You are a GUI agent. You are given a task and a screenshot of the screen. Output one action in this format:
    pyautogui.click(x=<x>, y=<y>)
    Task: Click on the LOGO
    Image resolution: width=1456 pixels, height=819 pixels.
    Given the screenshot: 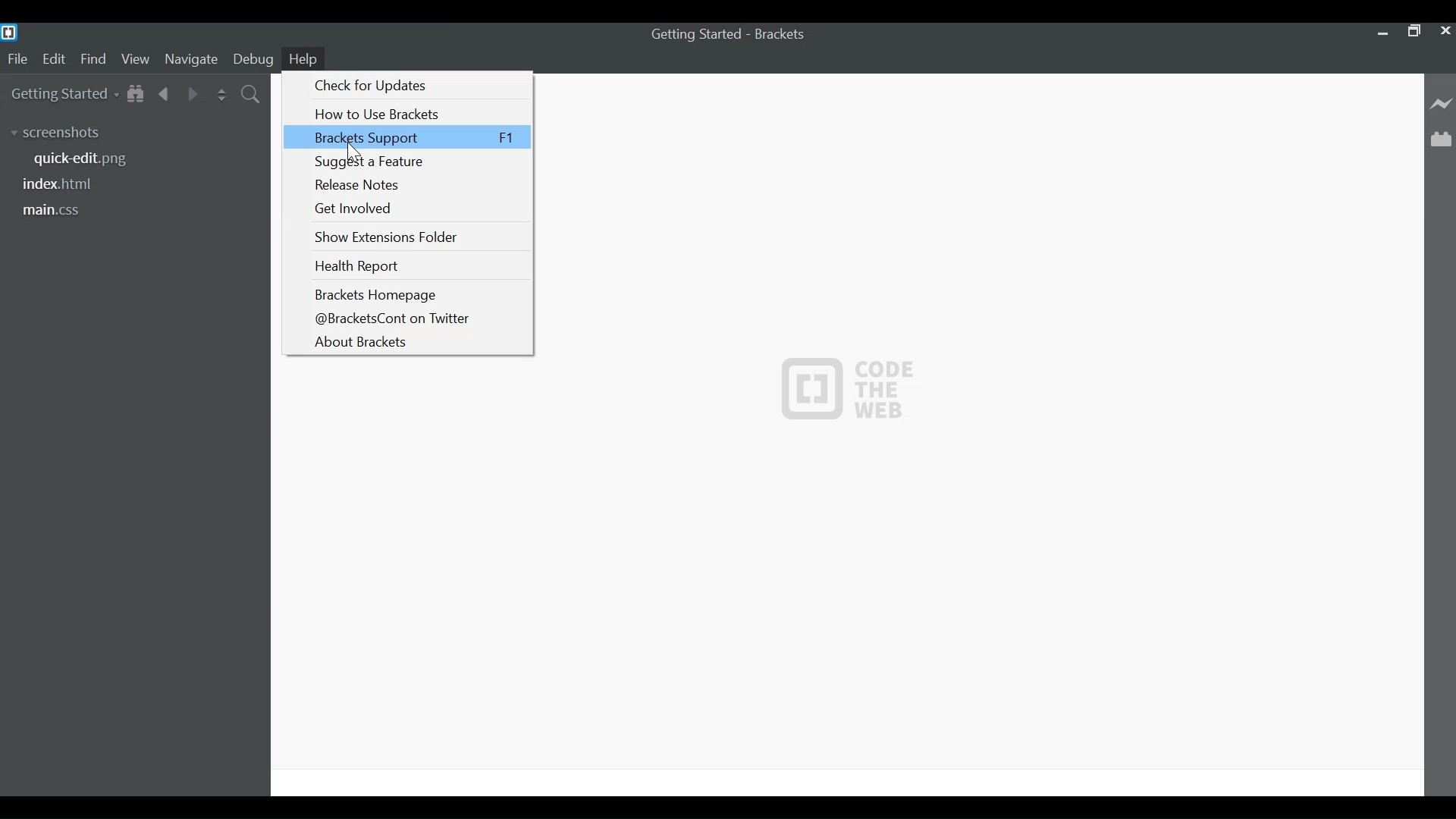 What is the action you would take?
    pyautogui.click(x=849, y=388)
    